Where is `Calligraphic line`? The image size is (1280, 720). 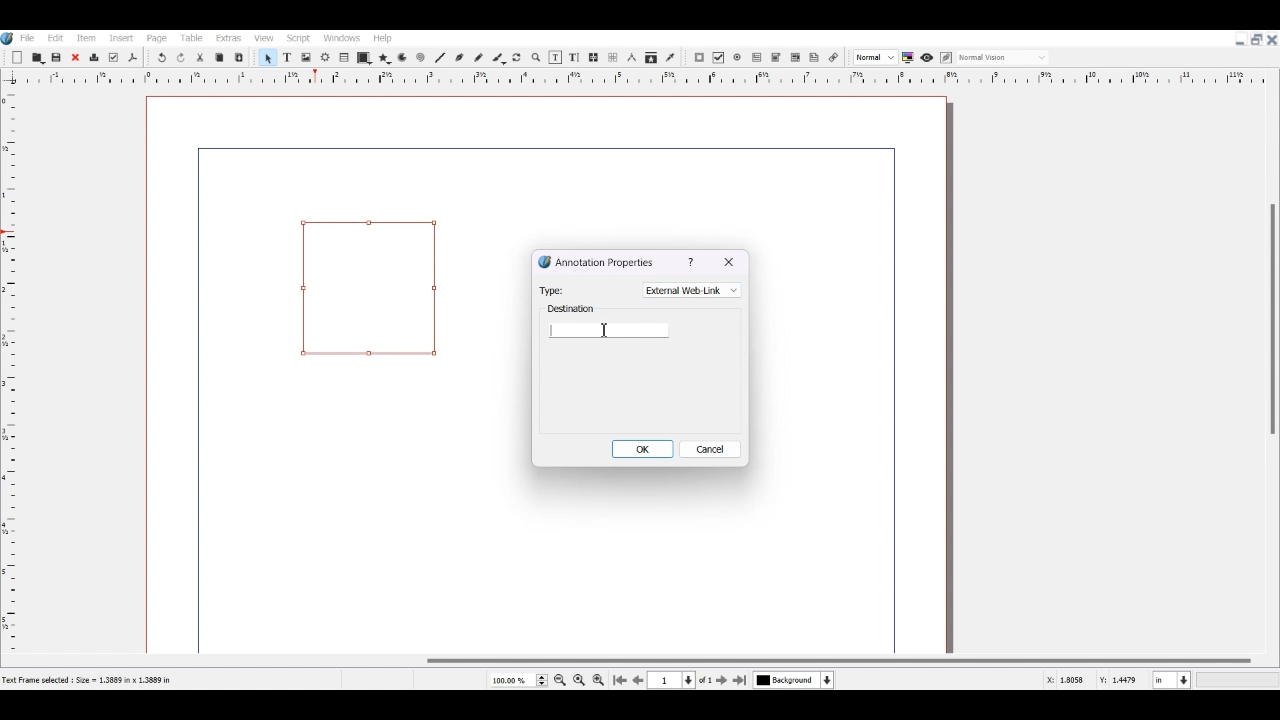
Calligraphic line is located at coordinates (499, 58).